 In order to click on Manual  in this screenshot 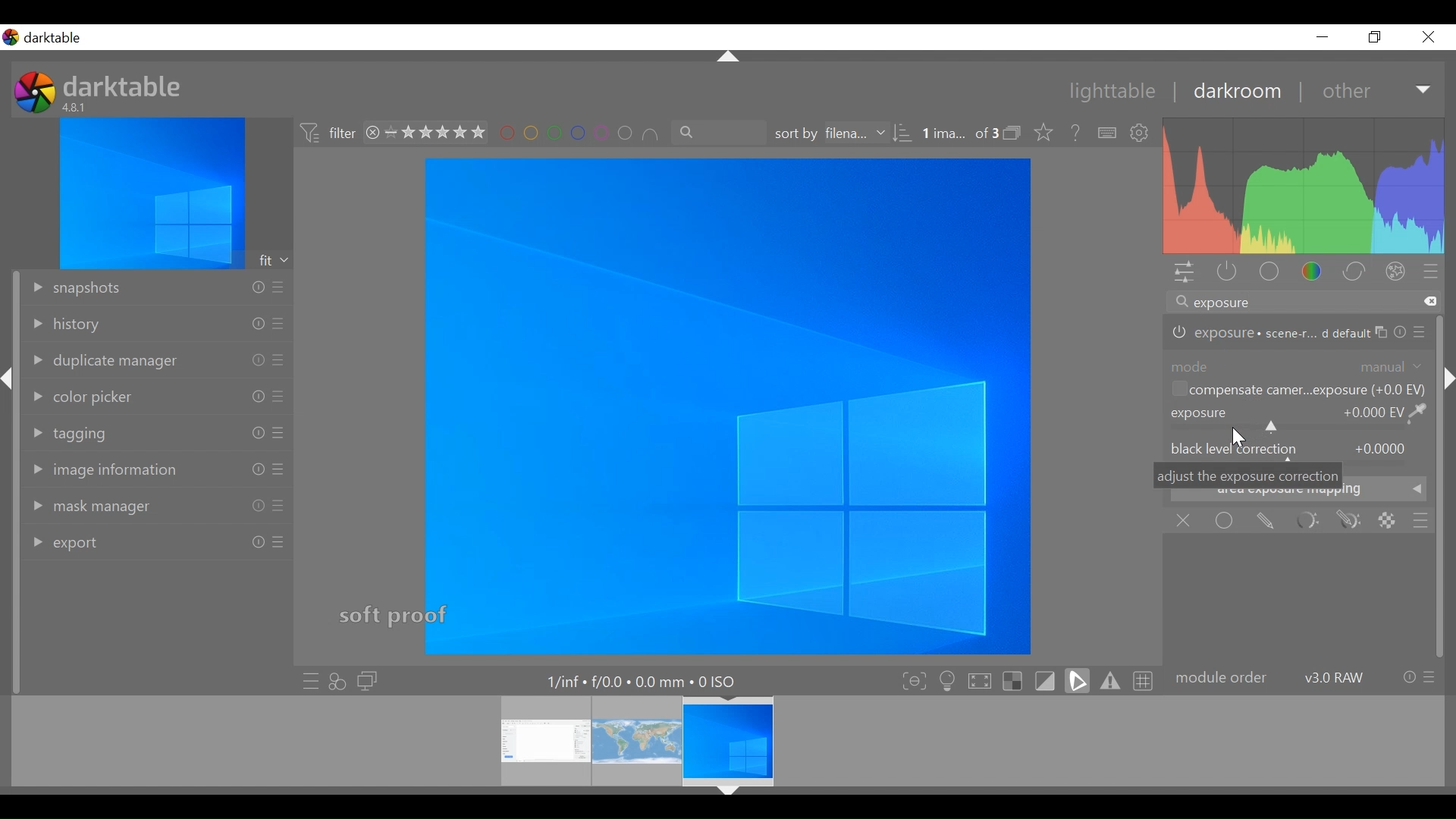, I will do `click(1392, 366)`.